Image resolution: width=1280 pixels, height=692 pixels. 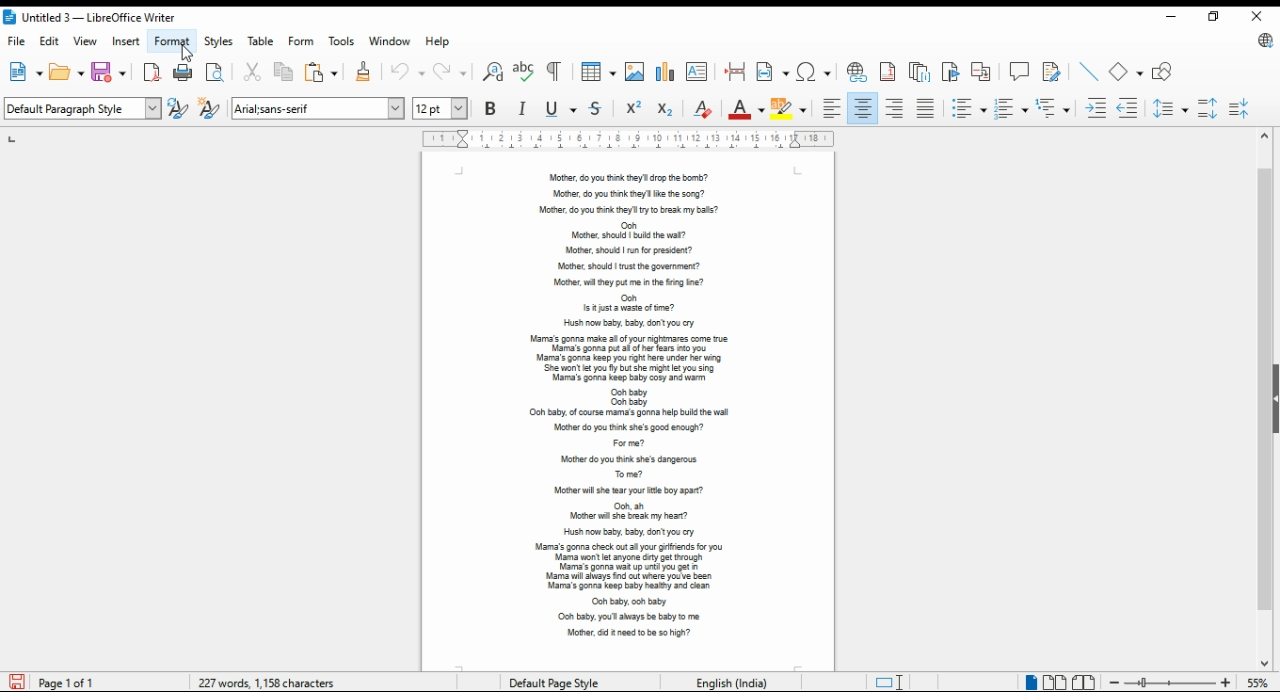 What do you see at coordinates (920, 73) in the screenshot?
I see `insert endnote` at bounding box center [920, 73].